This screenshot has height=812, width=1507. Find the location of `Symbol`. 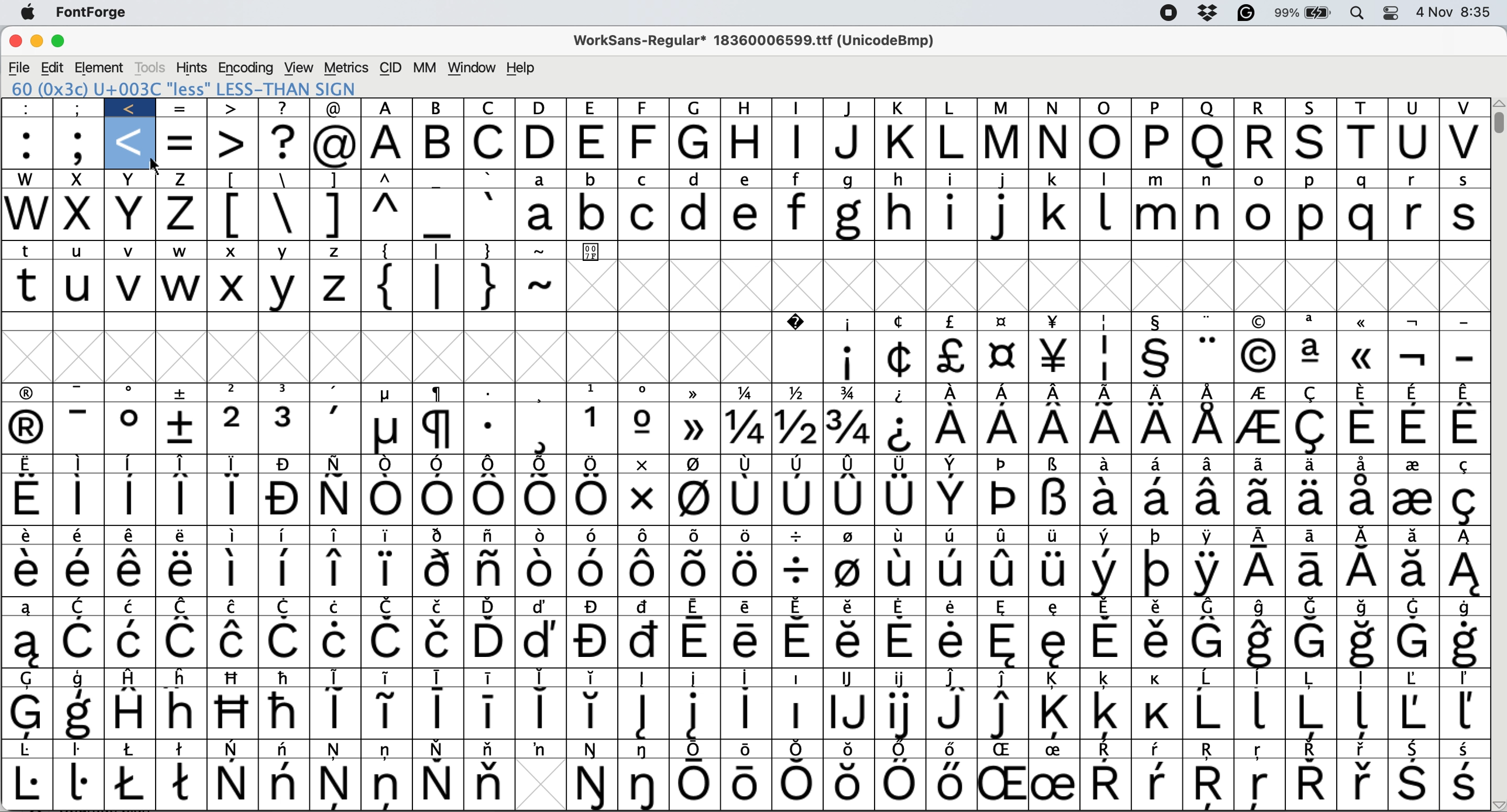

Symbol is located at coordinates (1305, 751).